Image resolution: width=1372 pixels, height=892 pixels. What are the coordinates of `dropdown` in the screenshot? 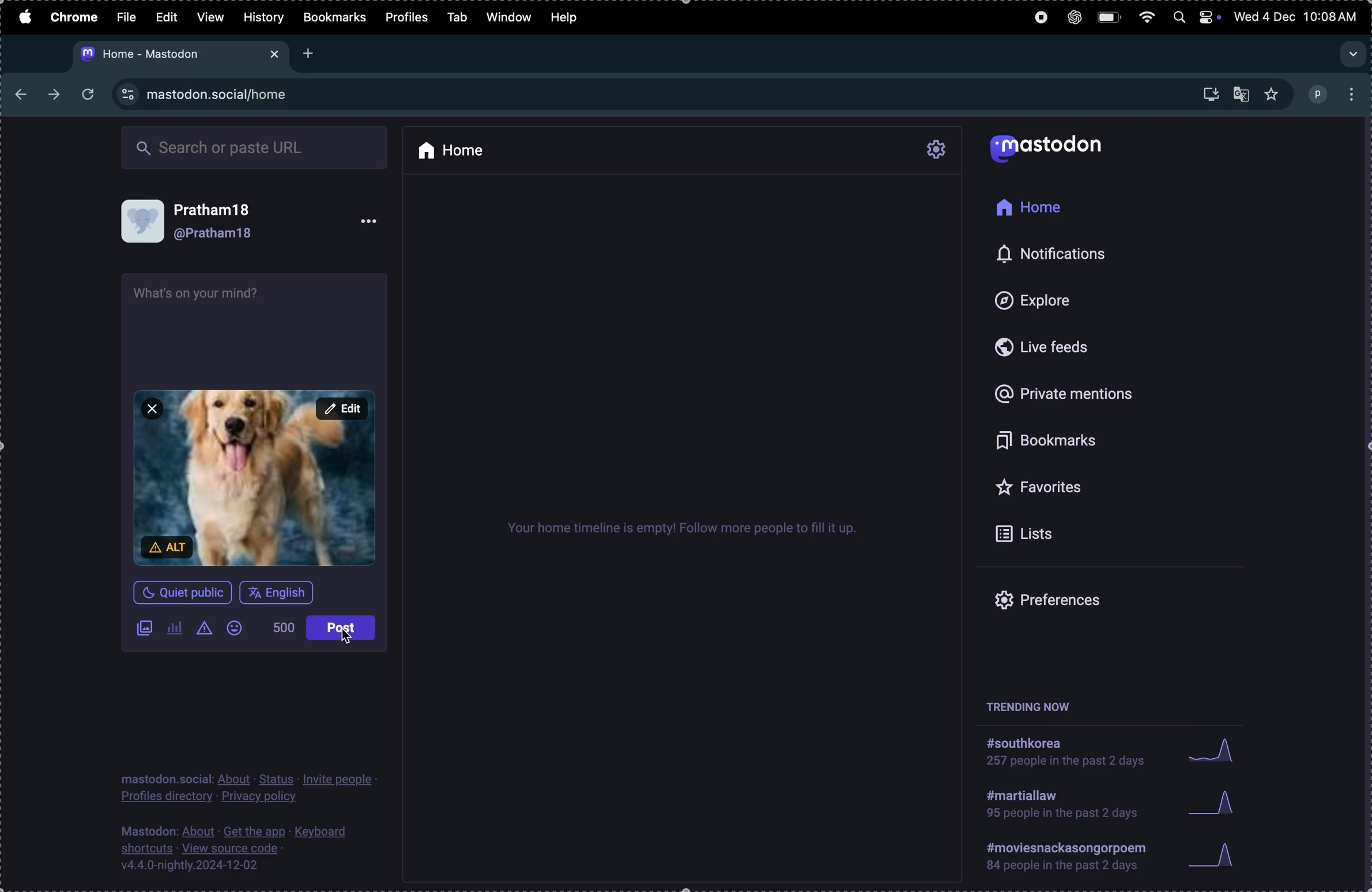 It's located at (1351, 54).